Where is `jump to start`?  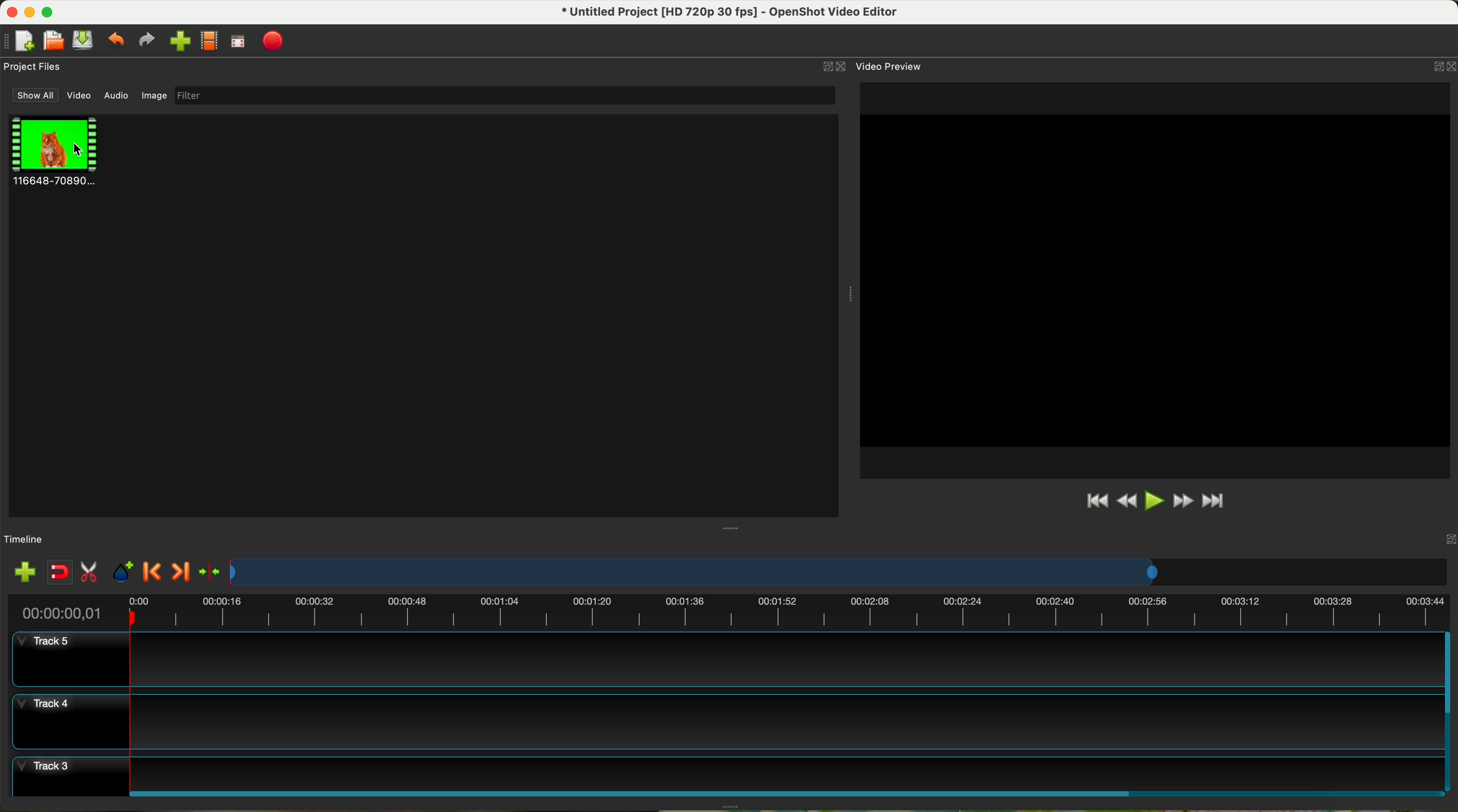
jump to start is located at coordinates (1096, 500).